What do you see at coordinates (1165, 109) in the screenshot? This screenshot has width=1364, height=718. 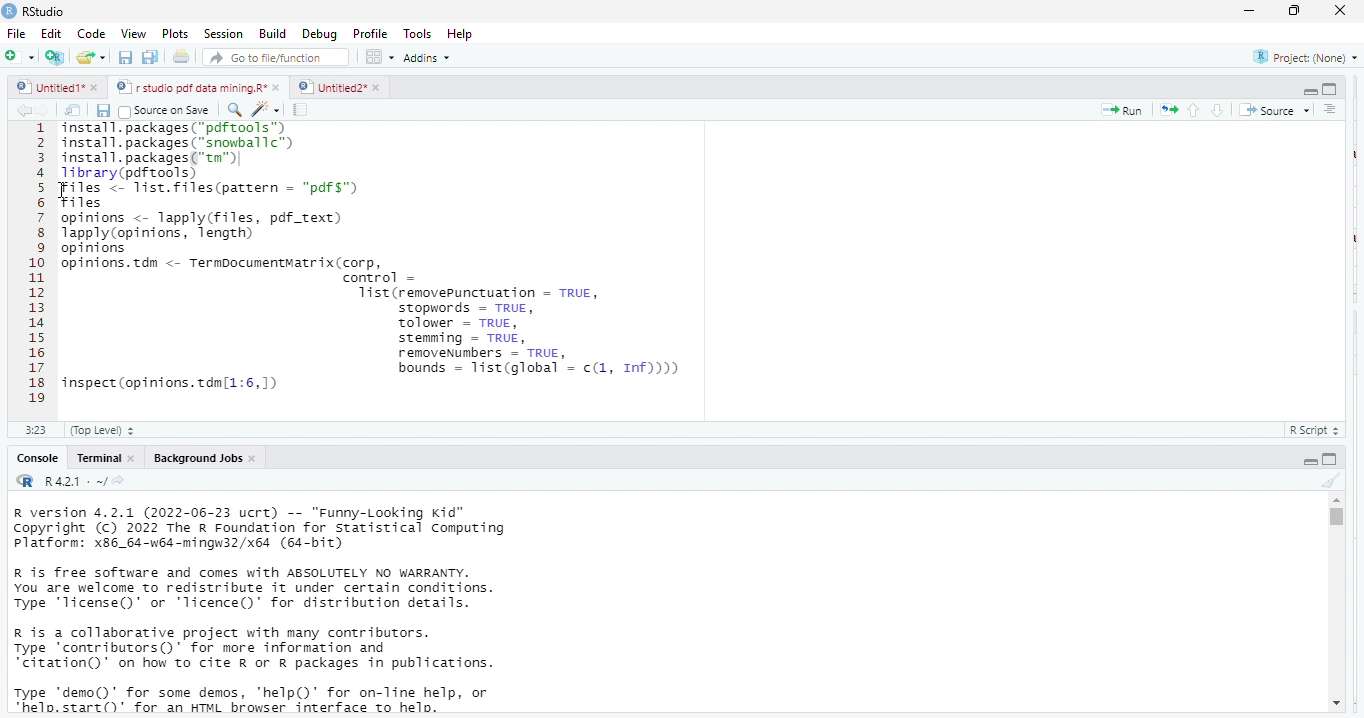 I see `re run the previous code region` at bounding box center [1165, 109].